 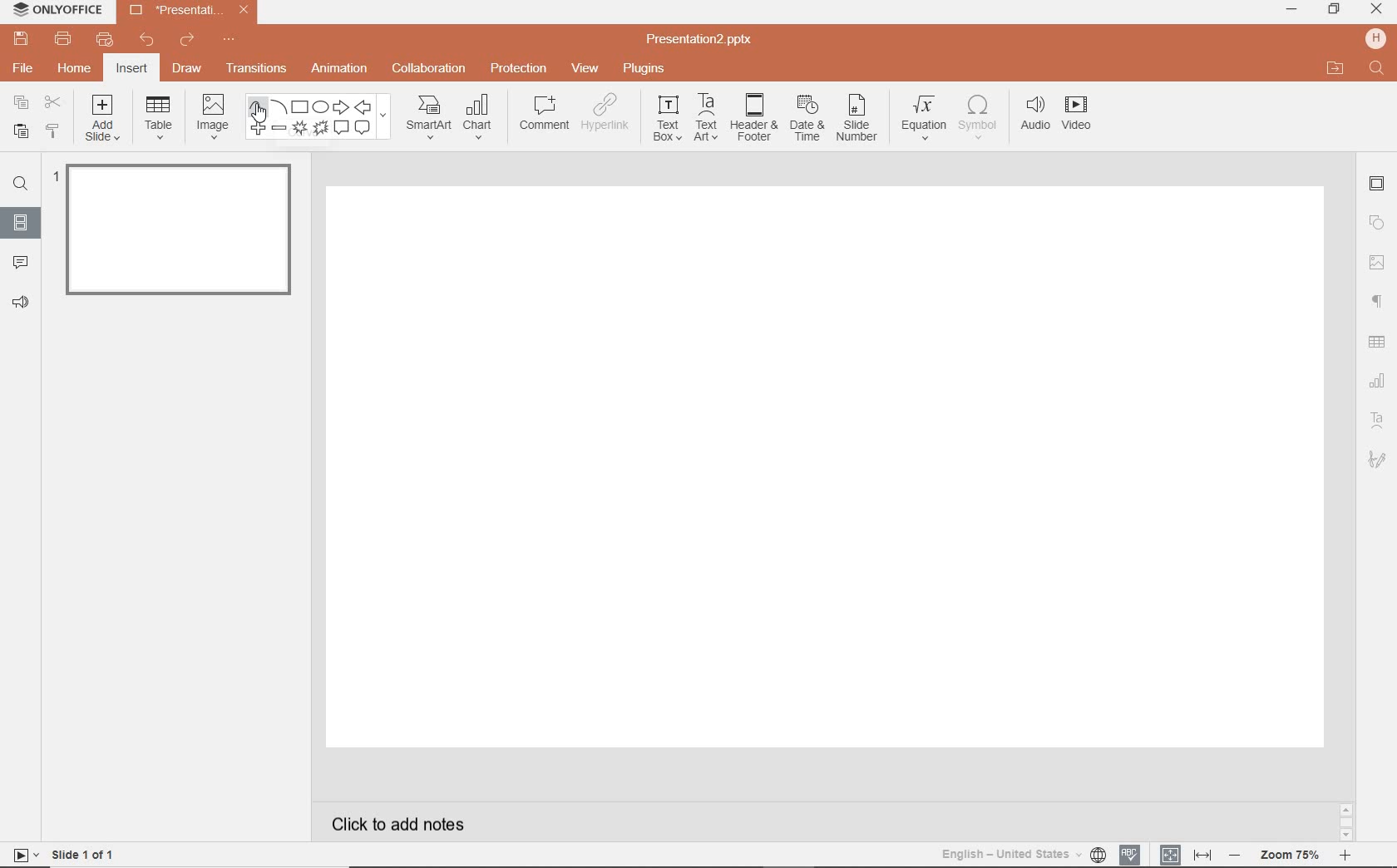 What do you see at coordinates (1335, 9) in the screenshot?
I see `RESTORE` at bounding box center [1335, 9].